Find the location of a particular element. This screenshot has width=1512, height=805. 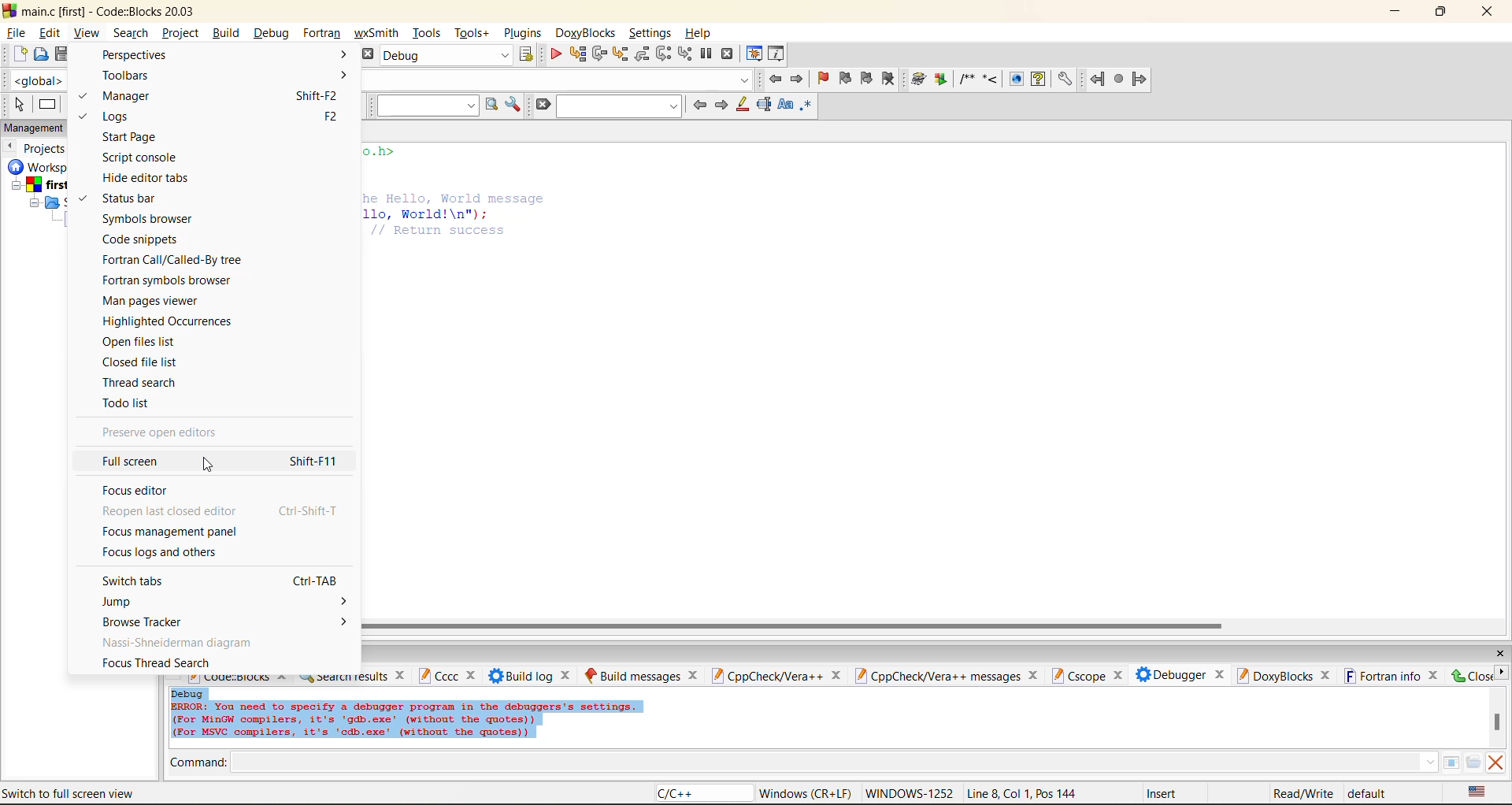

pervious bookmark is located at coordinates (847, 80).